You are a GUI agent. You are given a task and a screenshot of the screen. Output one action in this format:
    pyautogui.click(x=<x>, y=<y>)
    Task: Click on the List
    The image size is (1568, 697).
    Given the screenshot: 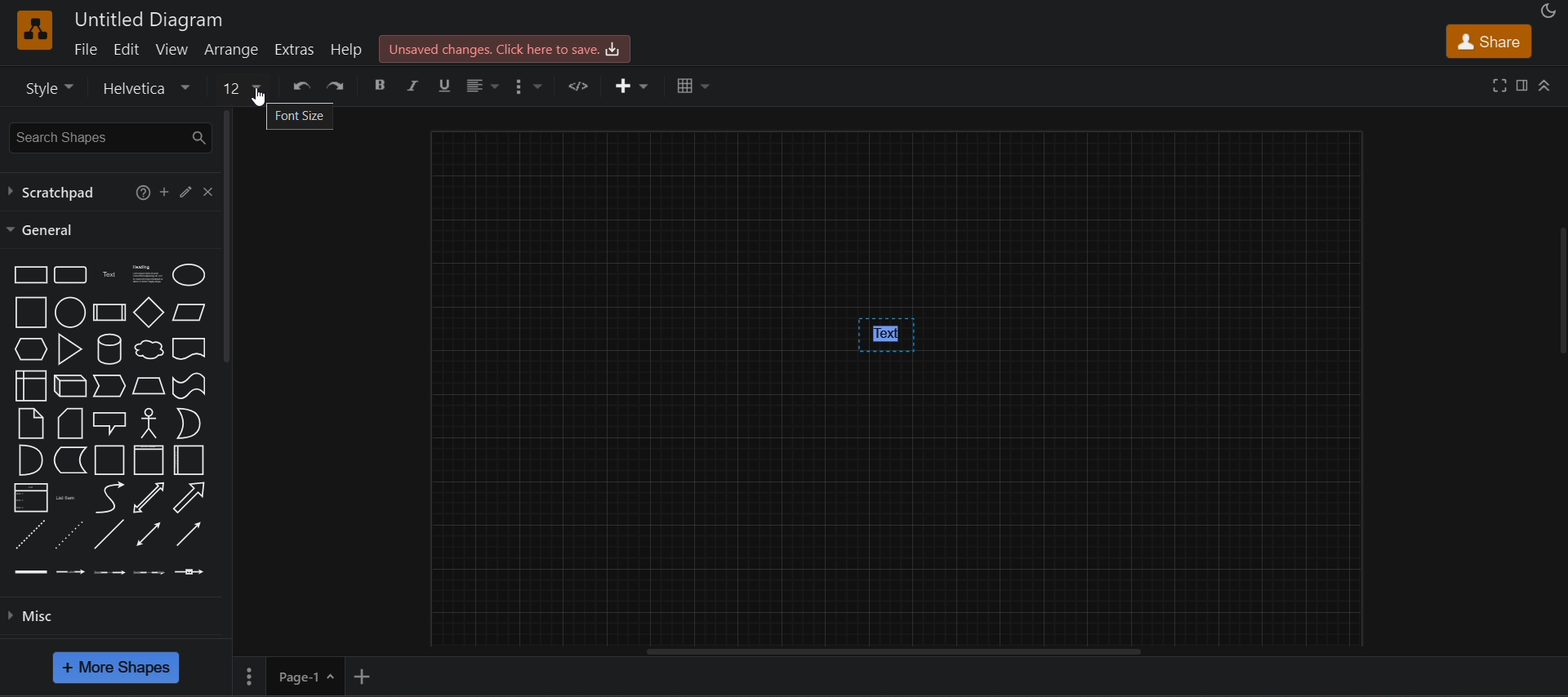 What is the action you would take?
    pyautogui.click(x=31, y=498)
    